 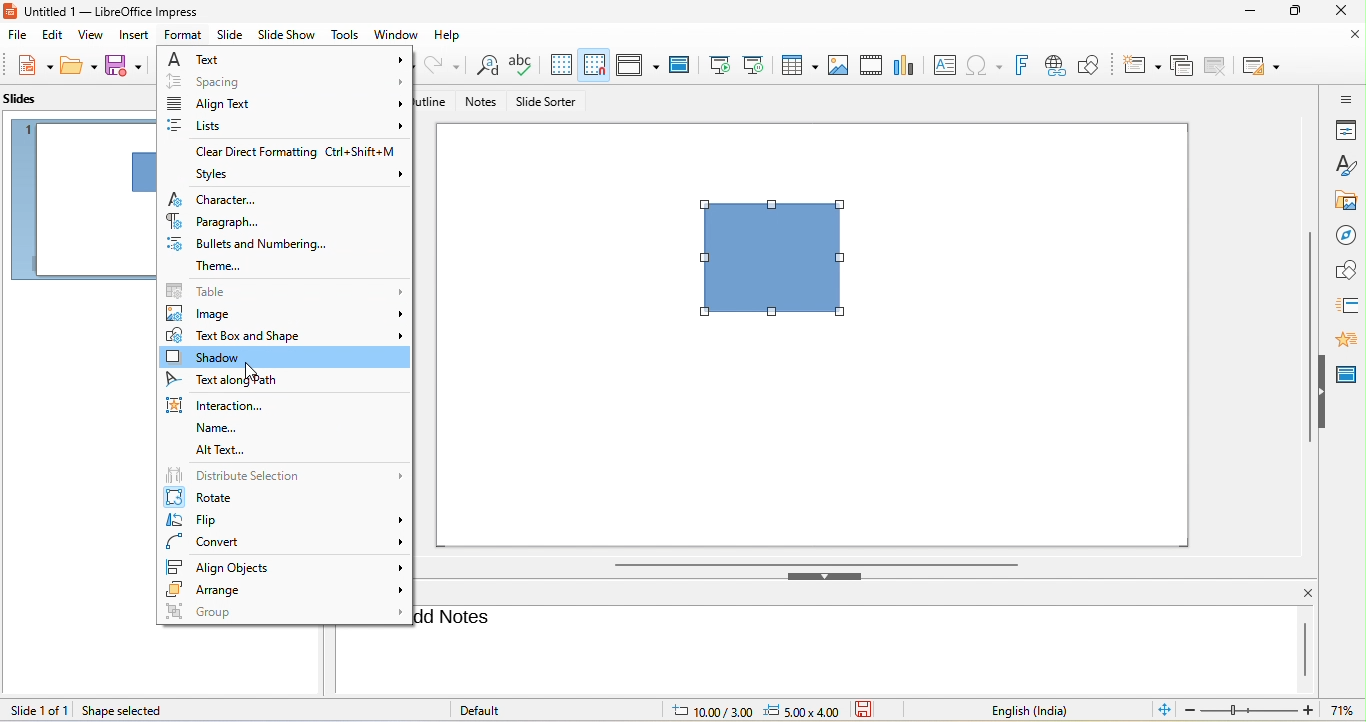 I want to click on display view, so click(x=637, y=64).